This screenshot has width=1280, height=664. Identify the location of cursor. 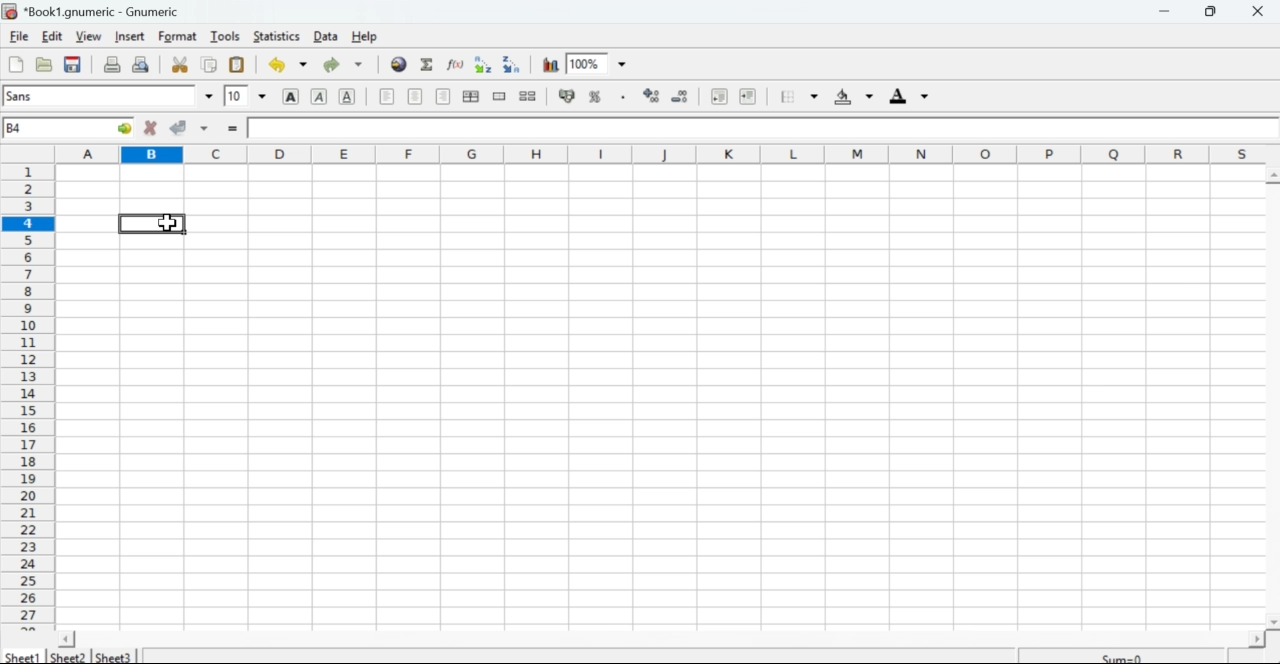
(167, 222).